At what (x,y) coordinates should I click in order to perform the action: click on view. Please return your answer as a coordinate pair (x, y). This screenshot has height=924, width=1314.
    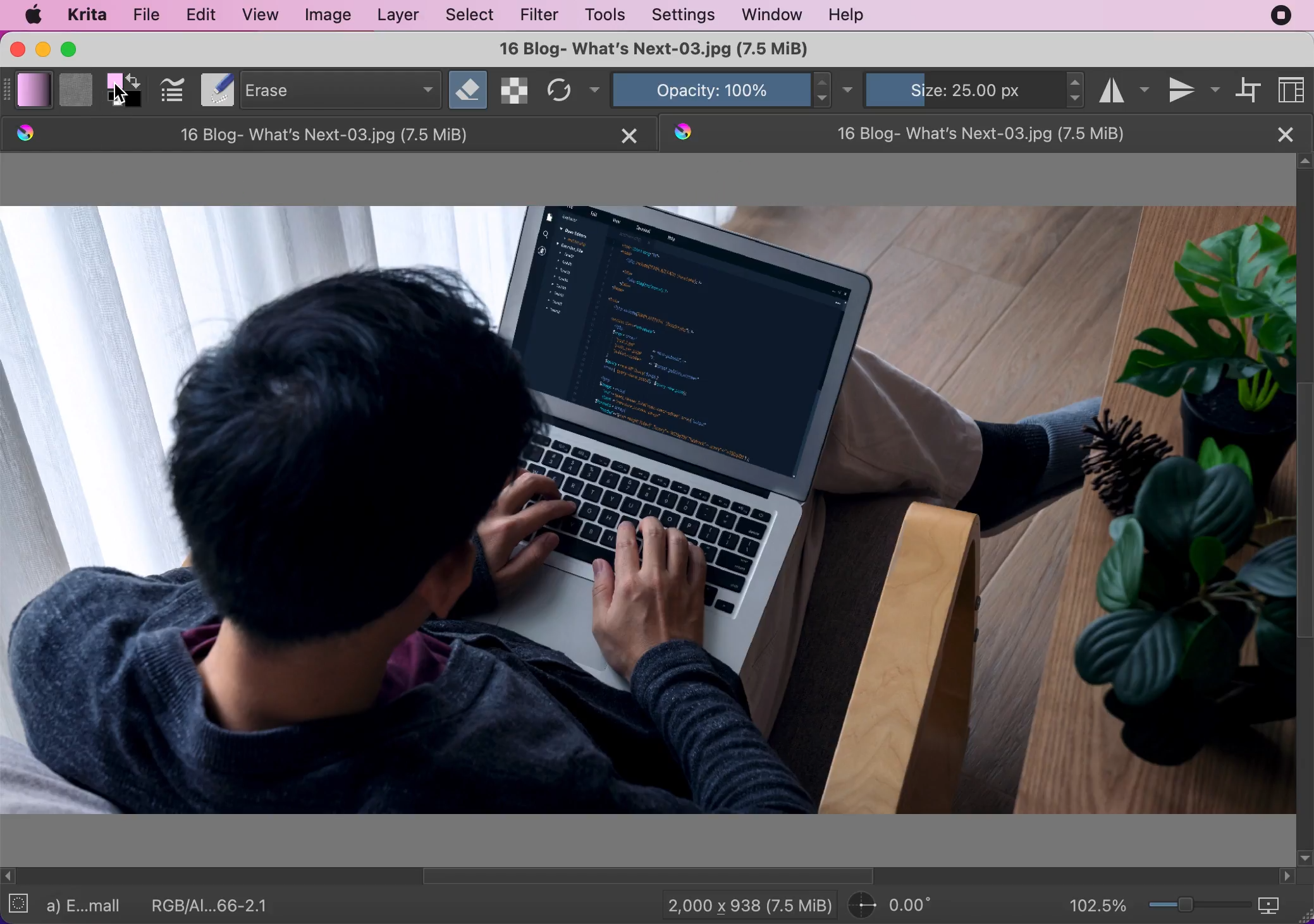
    Looking at the image, I should click on (262, 14).